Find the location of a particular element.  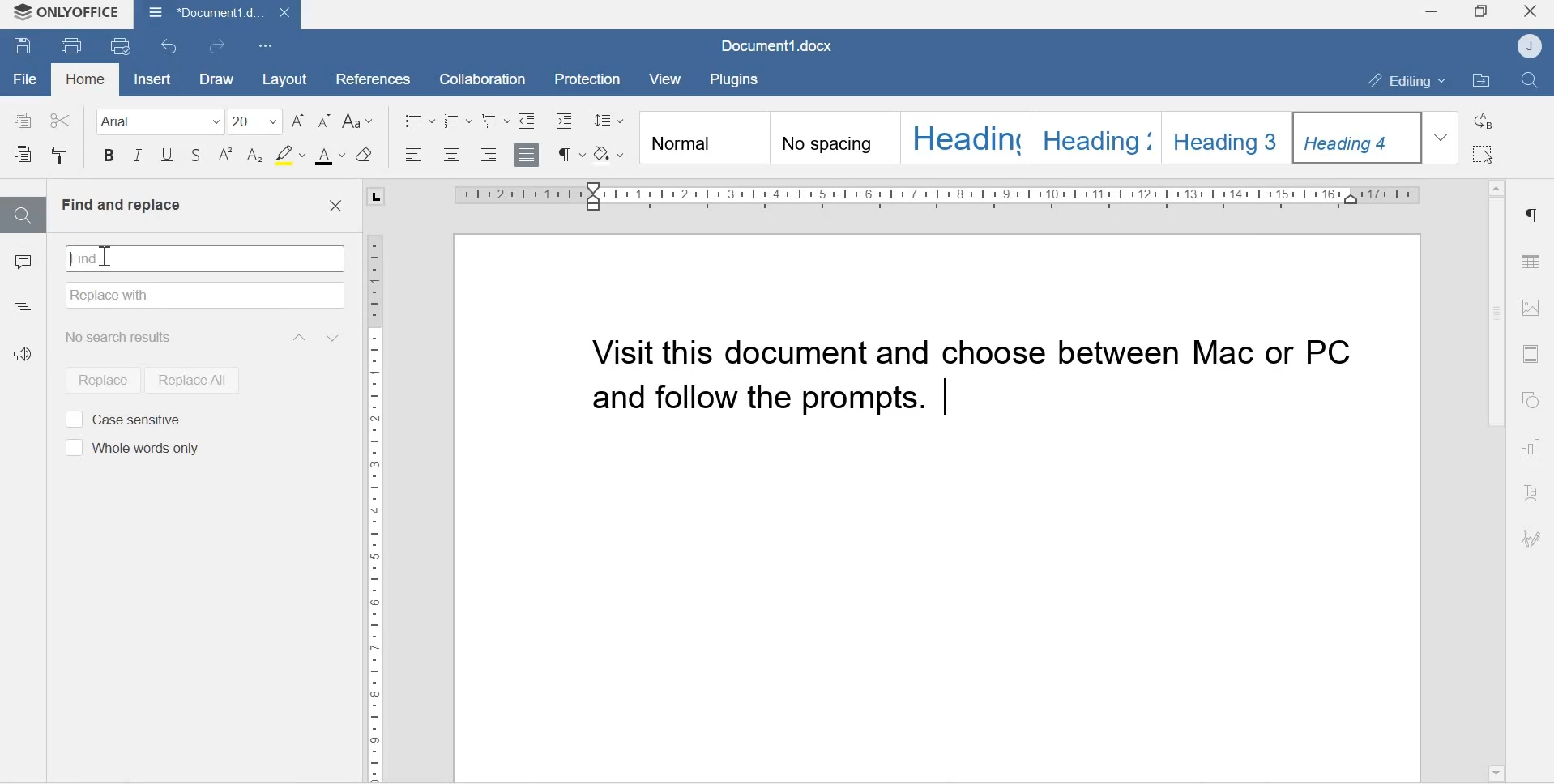

View is located at coordinates (668, 79).